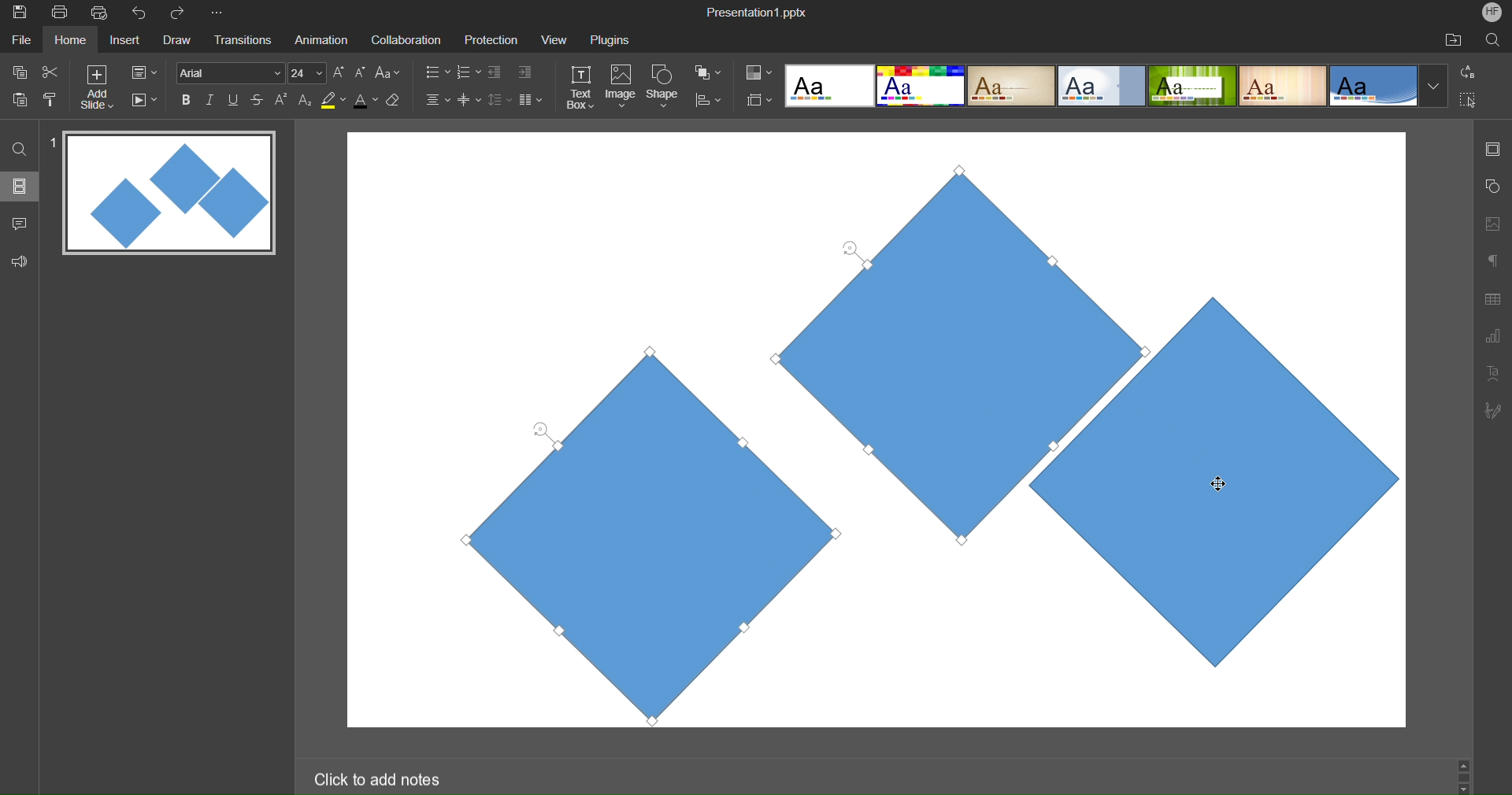 The width and height of the screenshot is (1512, 795). Describe the element at coordinates (436, 99) in the screenshot. I see `Alignment` at that location.